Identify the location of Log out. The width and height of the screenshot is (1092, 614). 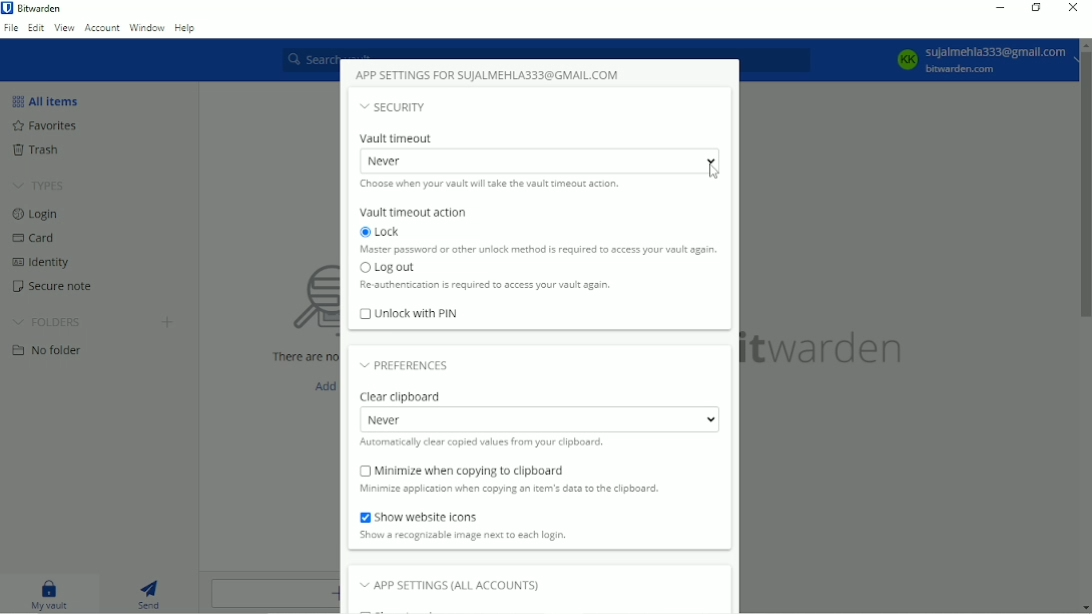
(389, 270).